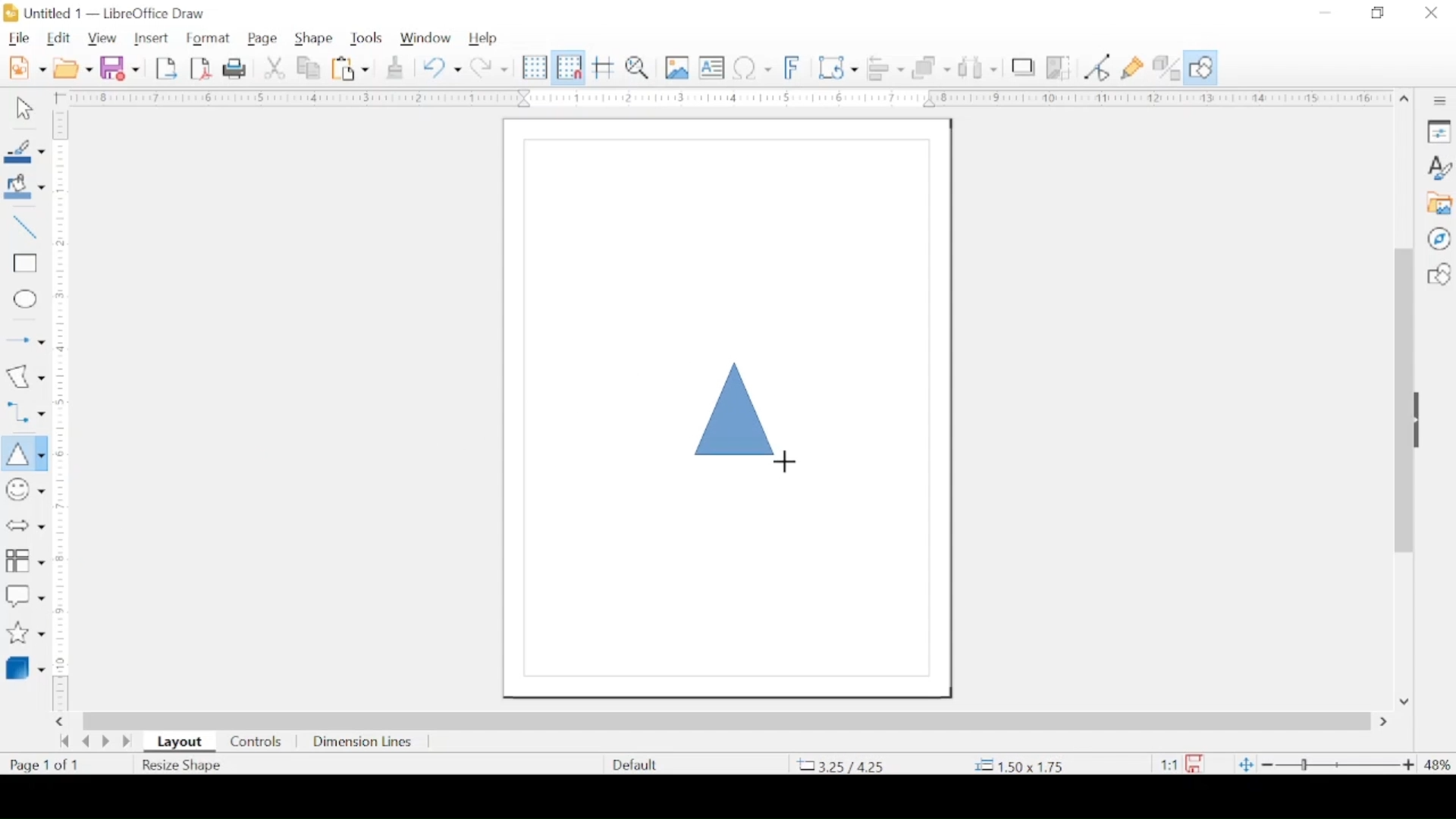  I want to click on print, so click(234, 68).